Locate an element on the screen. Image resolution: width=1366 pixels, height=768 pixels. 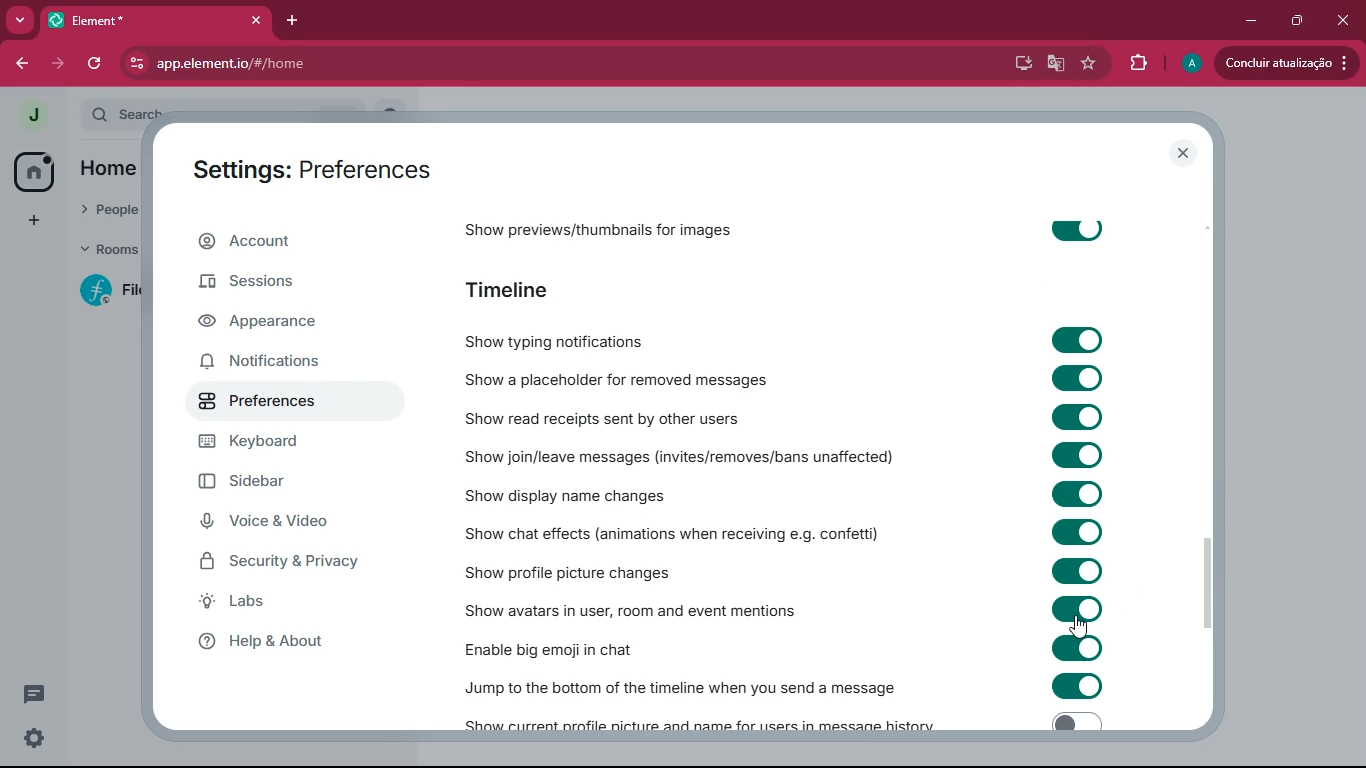
toggle on  is located at coordinates (1077, 533).